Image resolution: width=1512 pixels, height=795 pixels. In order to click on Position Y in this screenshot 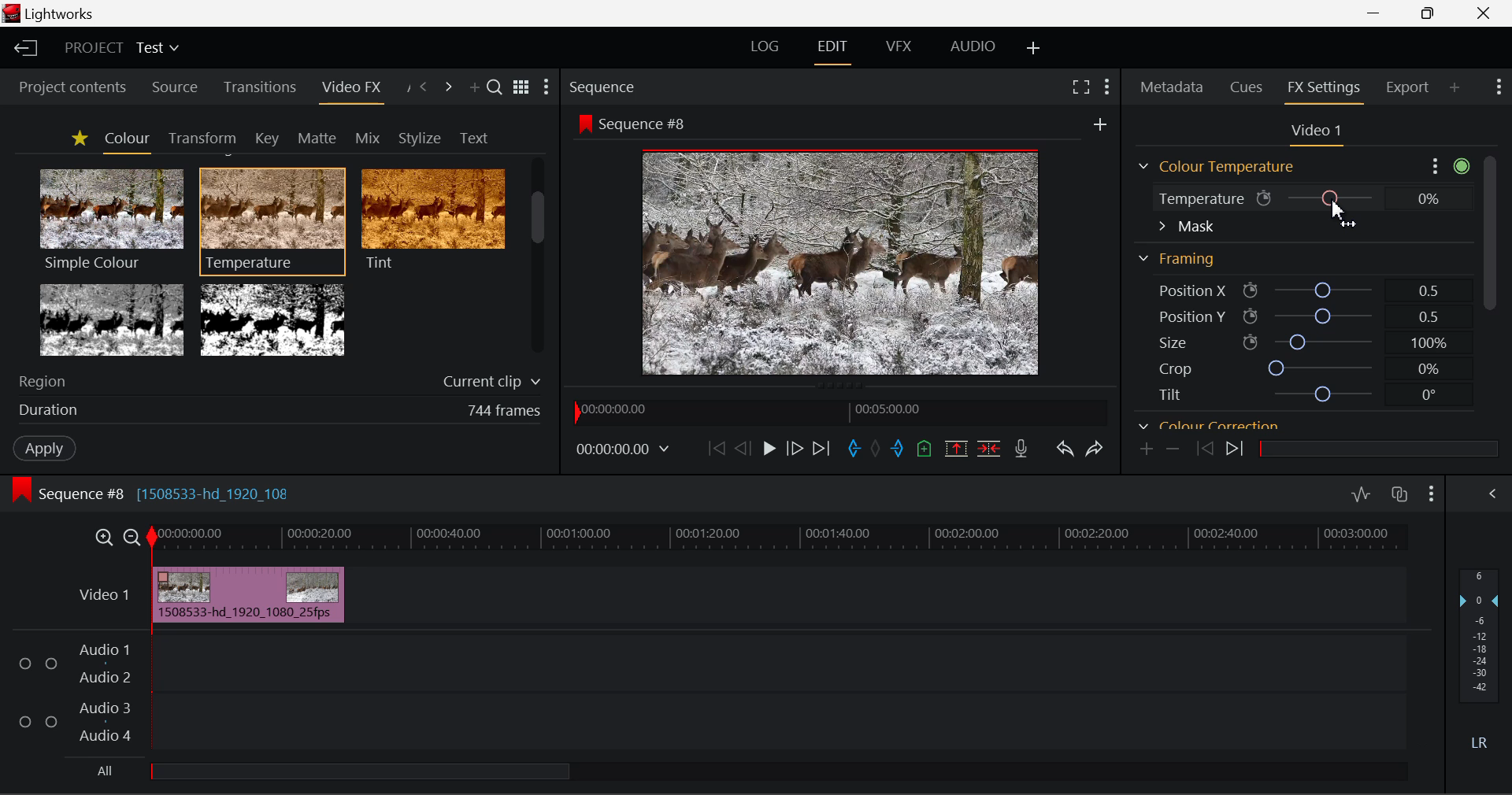, I will do `click(1323, 316)`.